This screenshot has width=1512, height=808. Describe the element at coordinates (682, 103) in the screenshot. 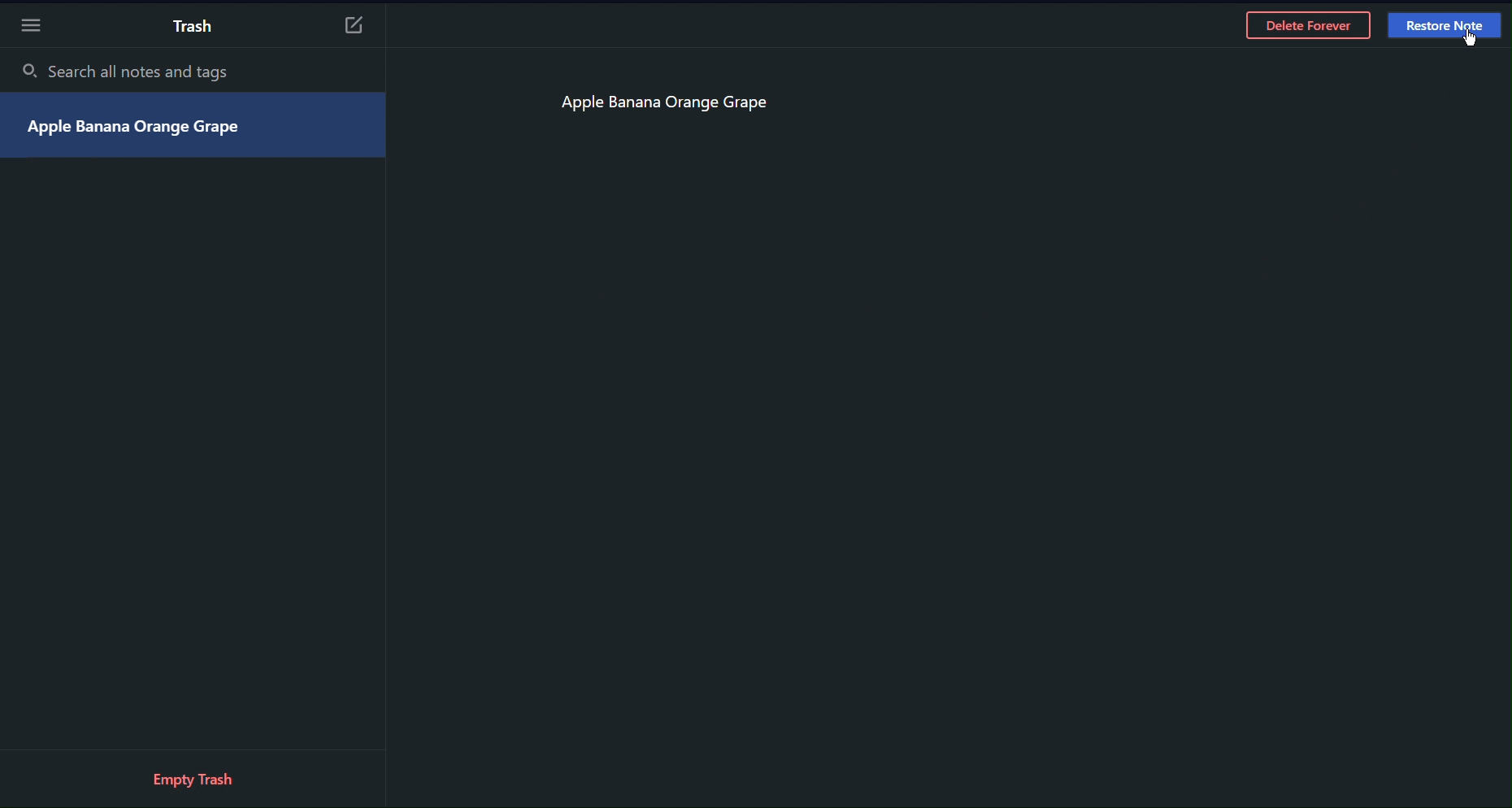

I see `Apple Banana Orange Grape` at that location.